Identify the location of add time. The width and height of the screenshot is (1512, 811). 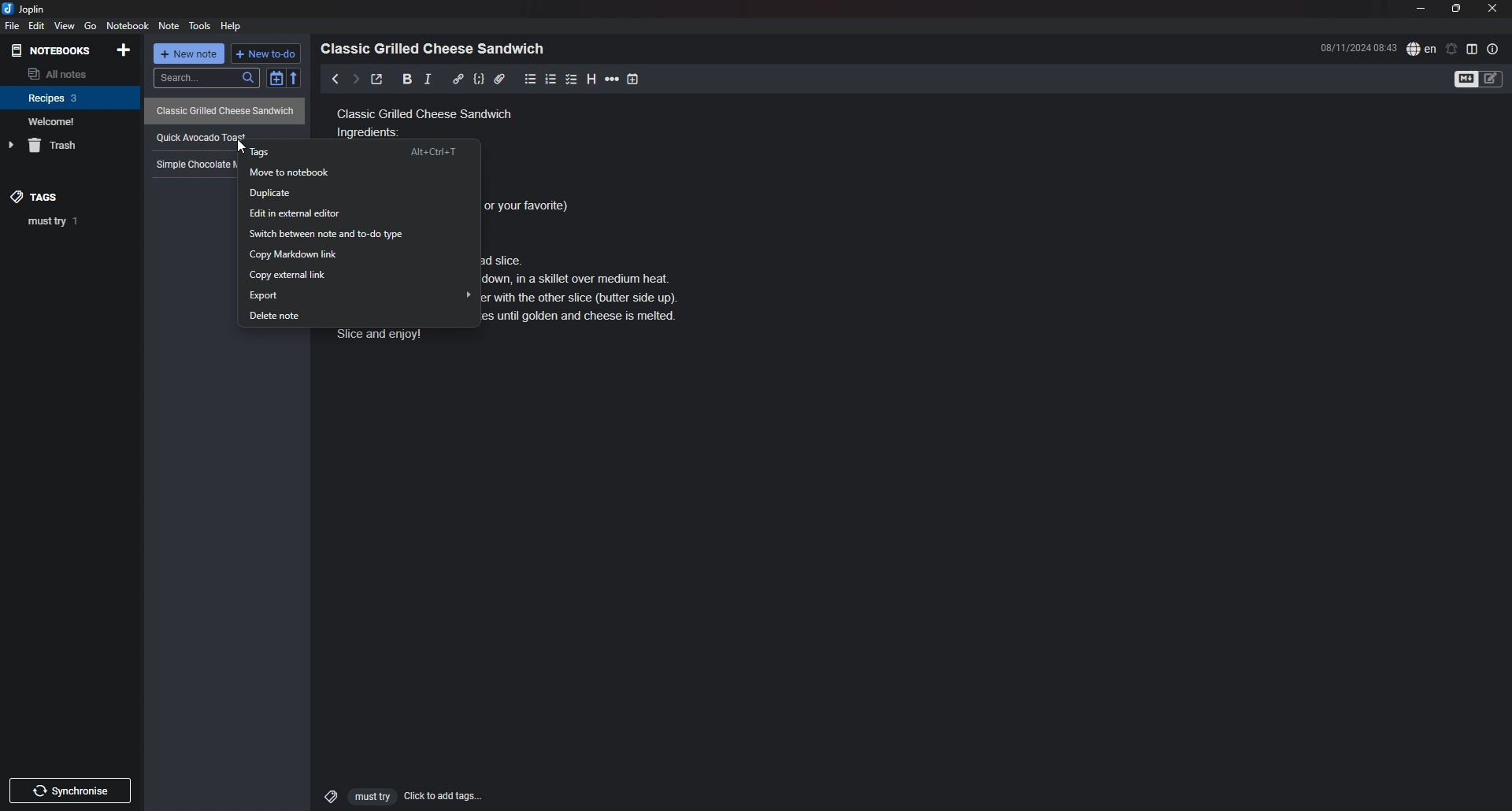
(635, 79).